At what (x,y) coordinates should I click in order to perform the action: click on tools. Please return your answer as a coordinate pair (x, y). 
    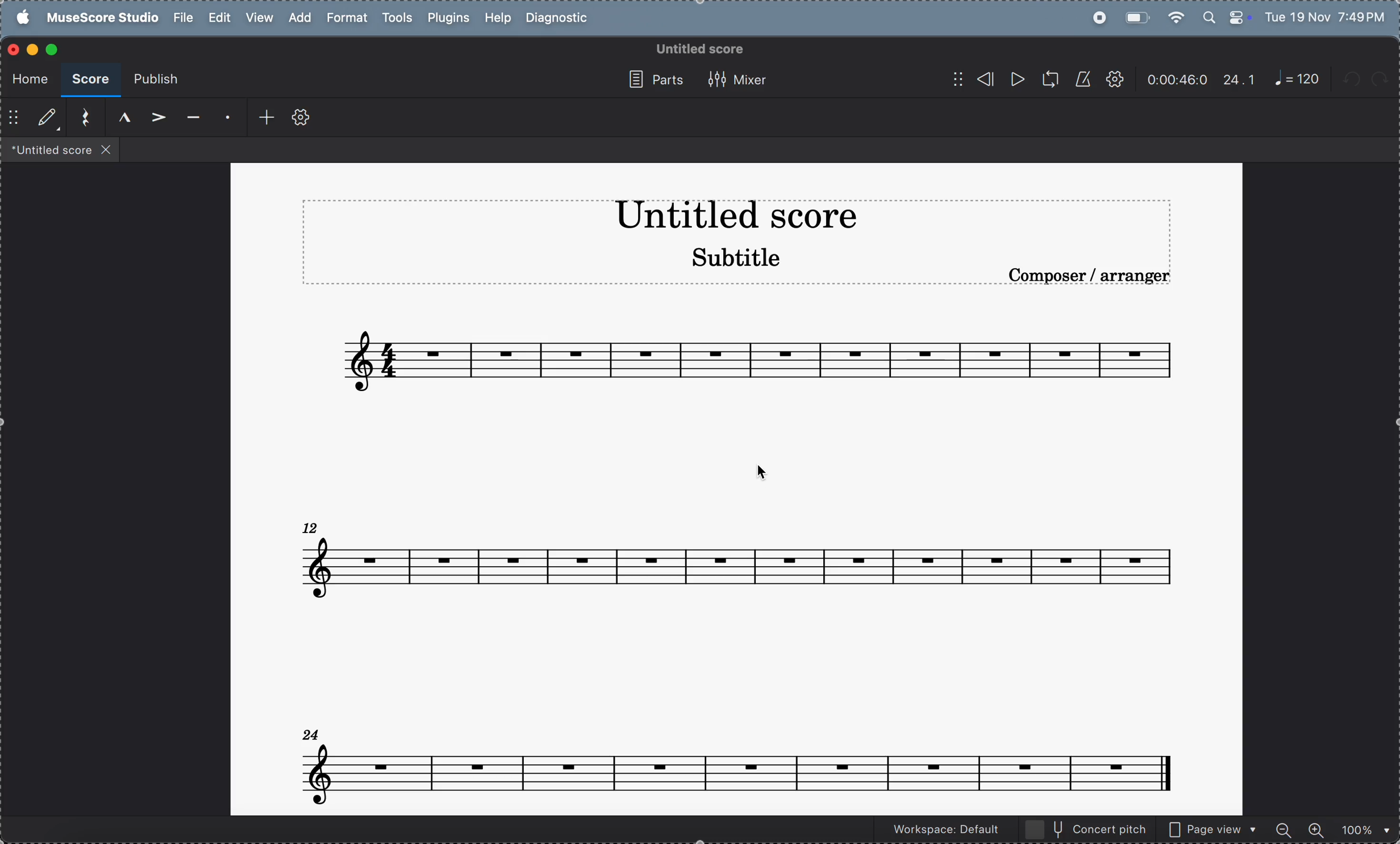
    Looking at the image, I should click on (397, 19).